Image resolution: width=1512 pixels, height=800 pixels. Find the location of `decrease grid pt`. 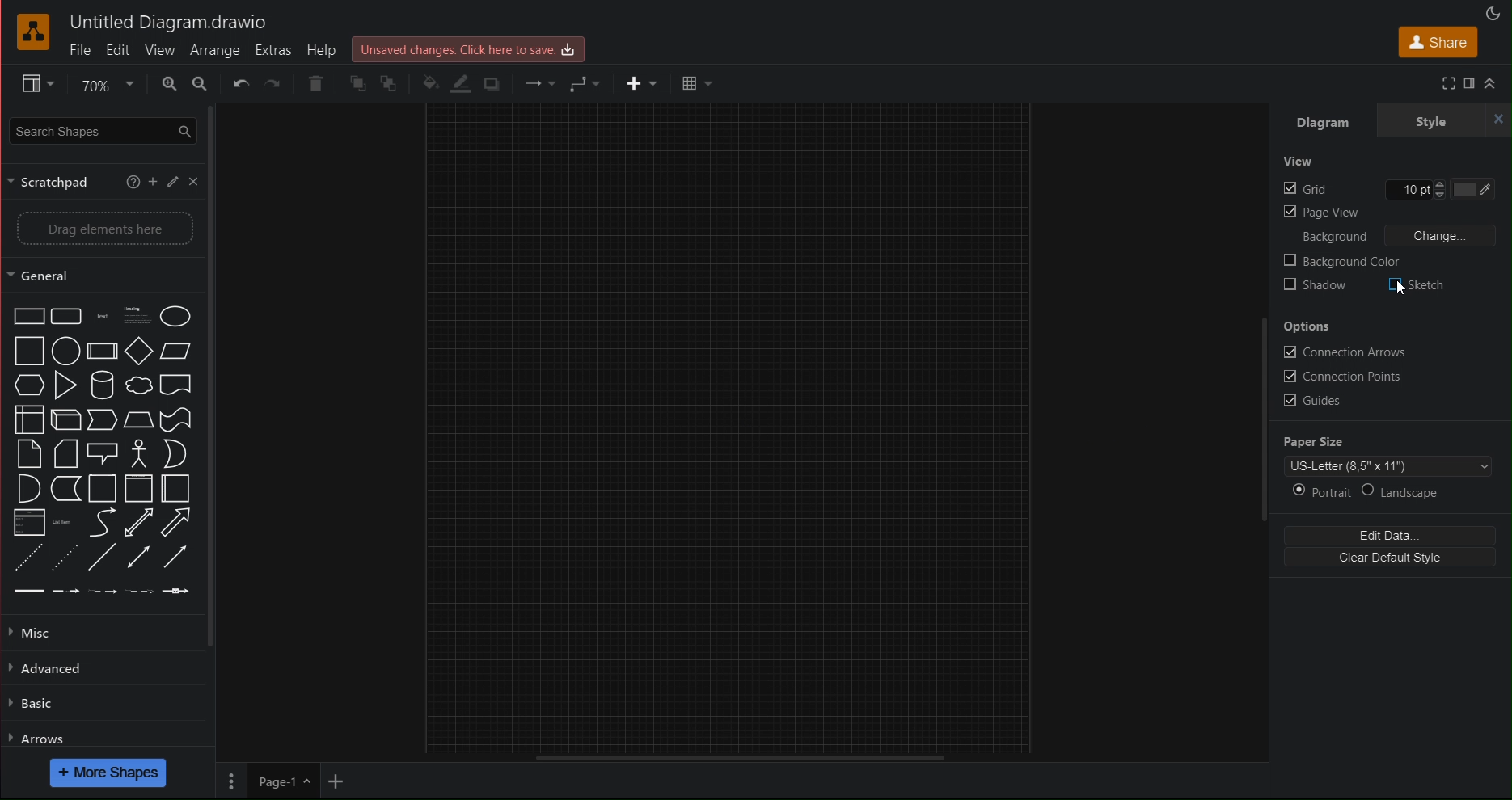

decrease grid pt is located at coordinates (1441, 196).